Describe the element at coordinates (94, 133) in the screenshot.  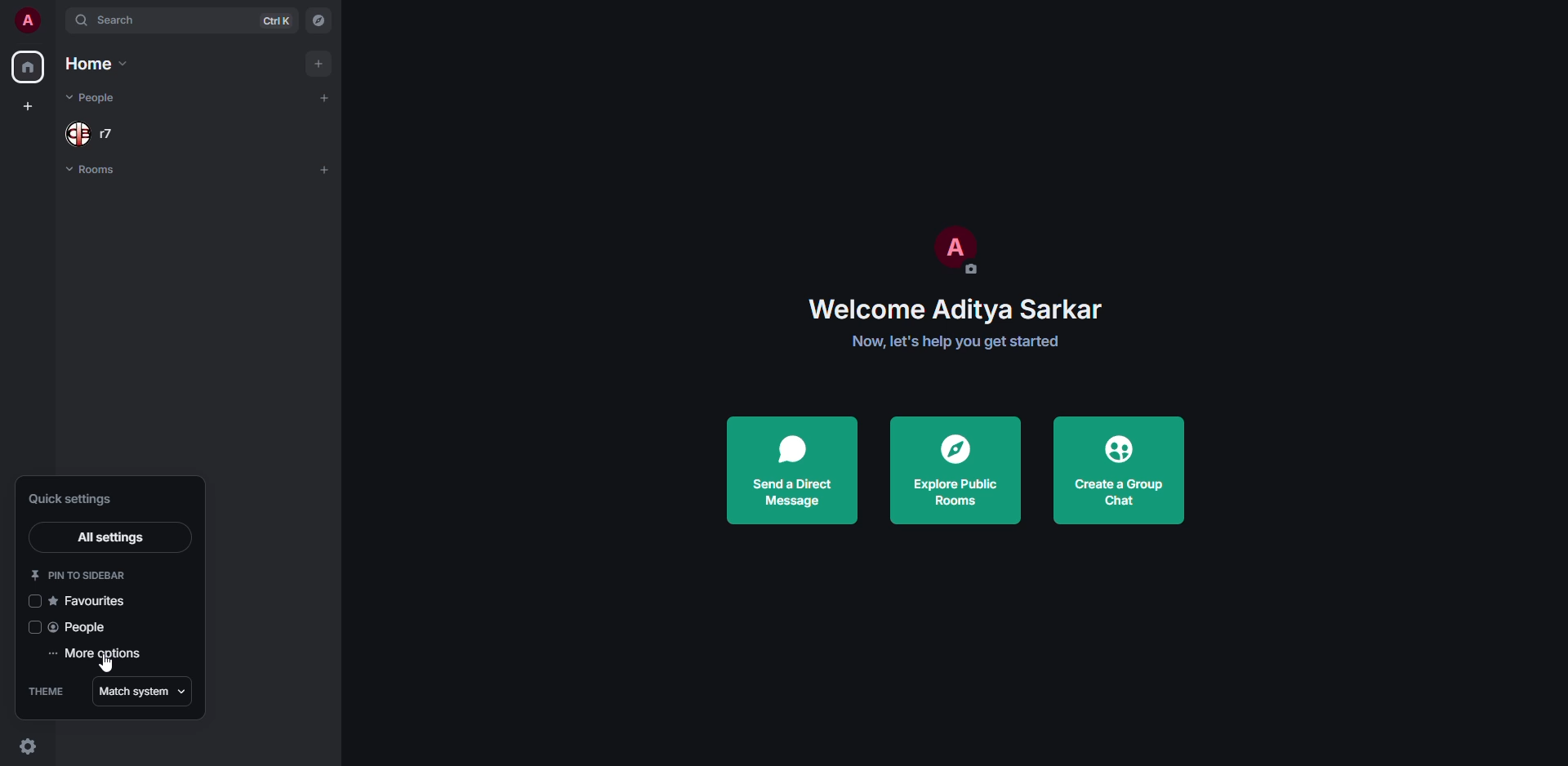
I see `people` at that location.